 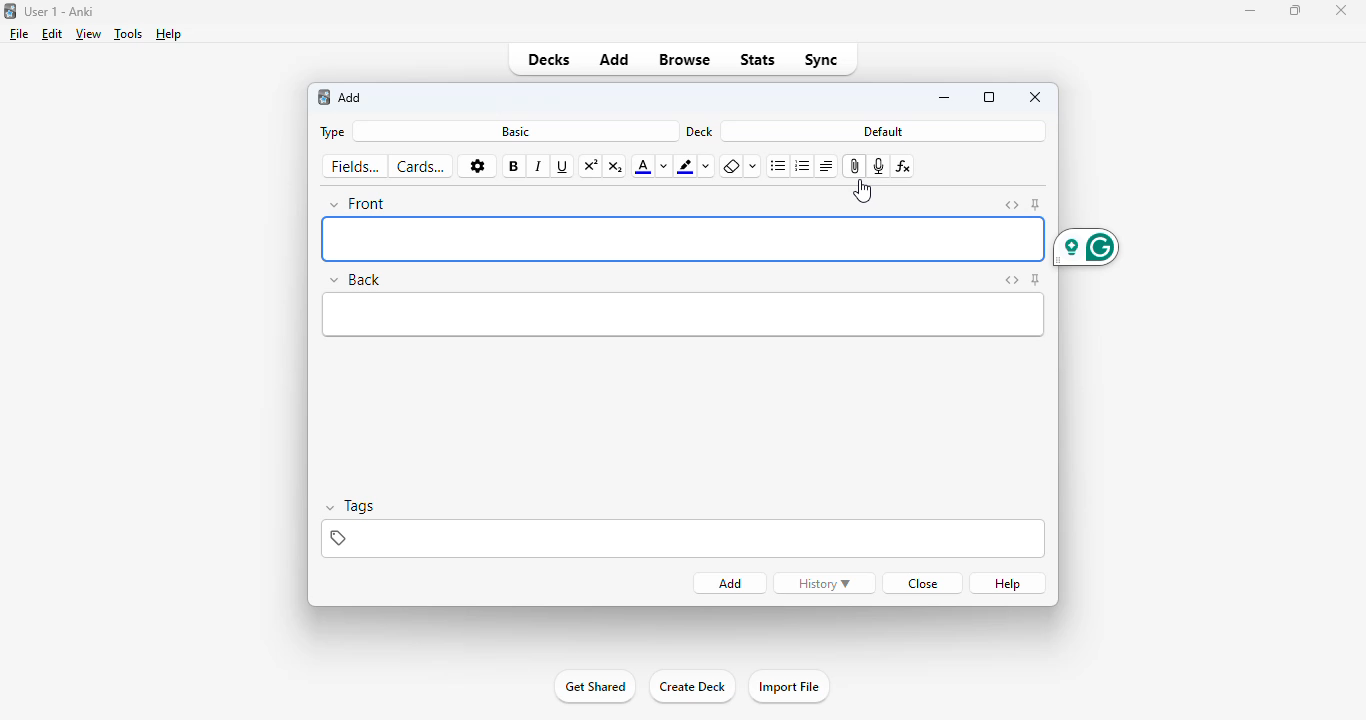 What do you see at coordinates (731, 167) in the screenshot?
I see `remove formatting` at bounding box center [731, 167].